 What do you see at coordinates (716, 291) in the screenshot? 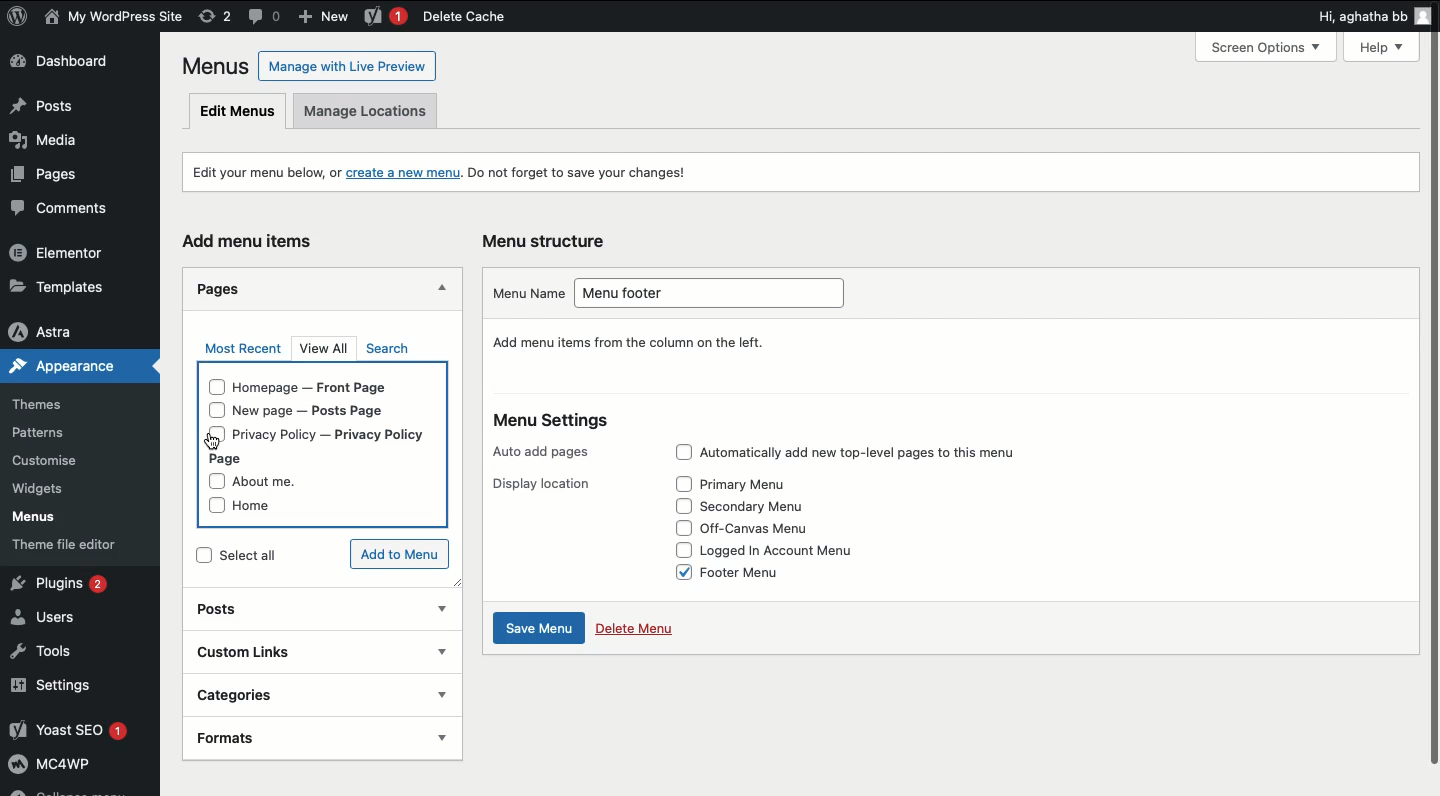
I see `Menu footer` at bounding box center [716, 291].